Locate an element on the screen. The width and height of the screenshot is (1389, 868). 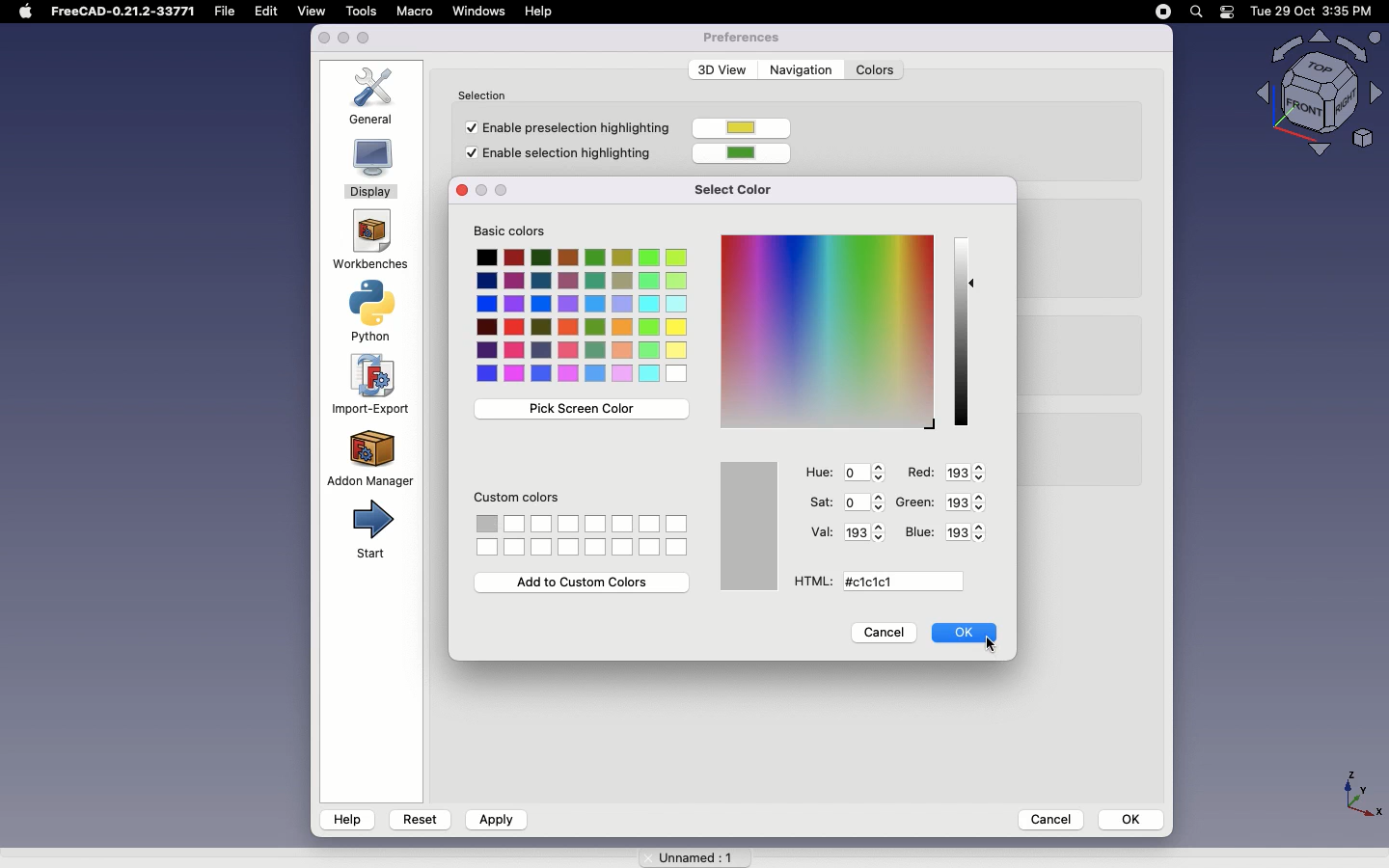
close is located at coordinates (324, 39).